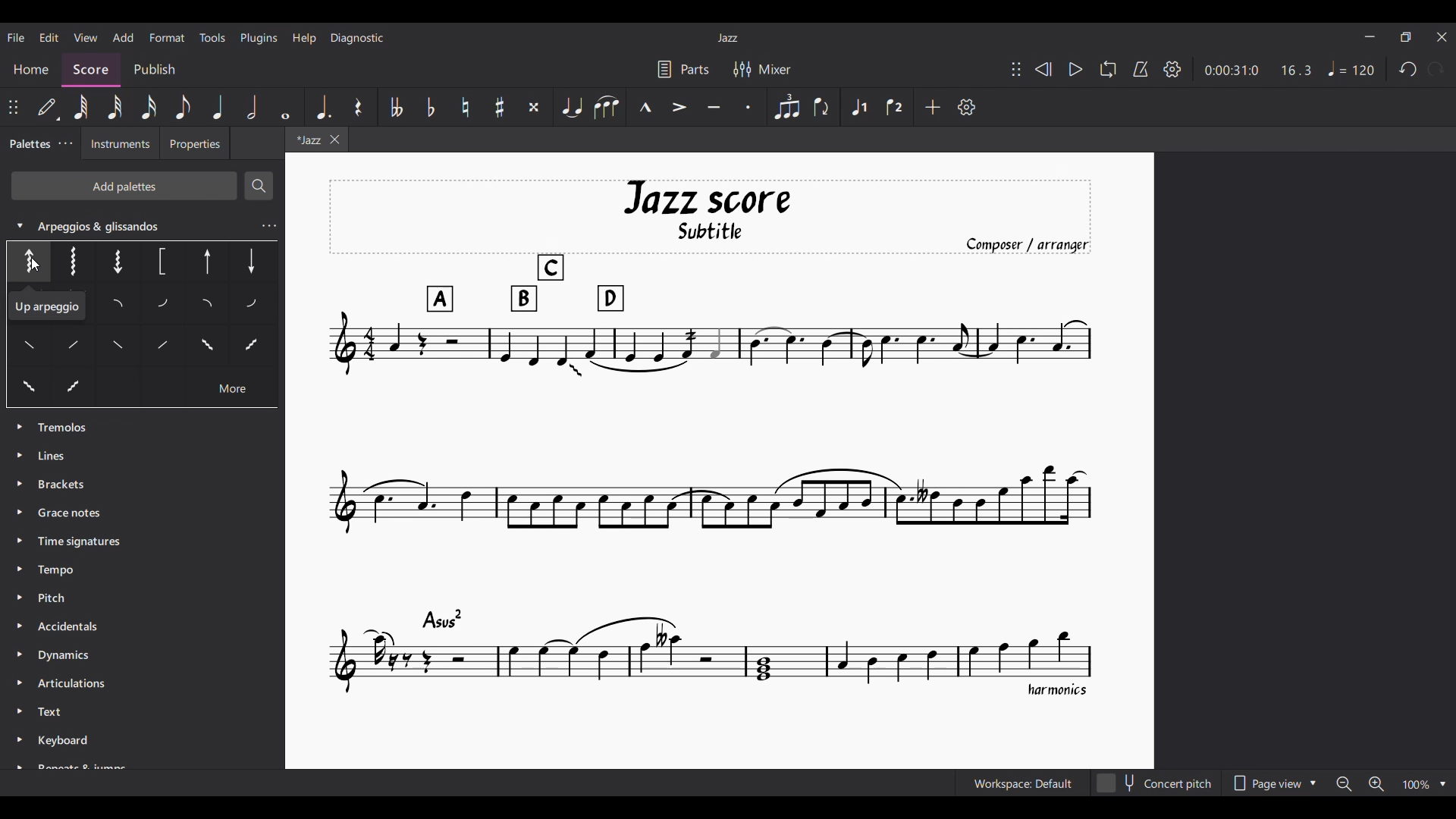 The height and width of the screenshot is (819, 1456). I want to click on Change position, so click(13, 107).